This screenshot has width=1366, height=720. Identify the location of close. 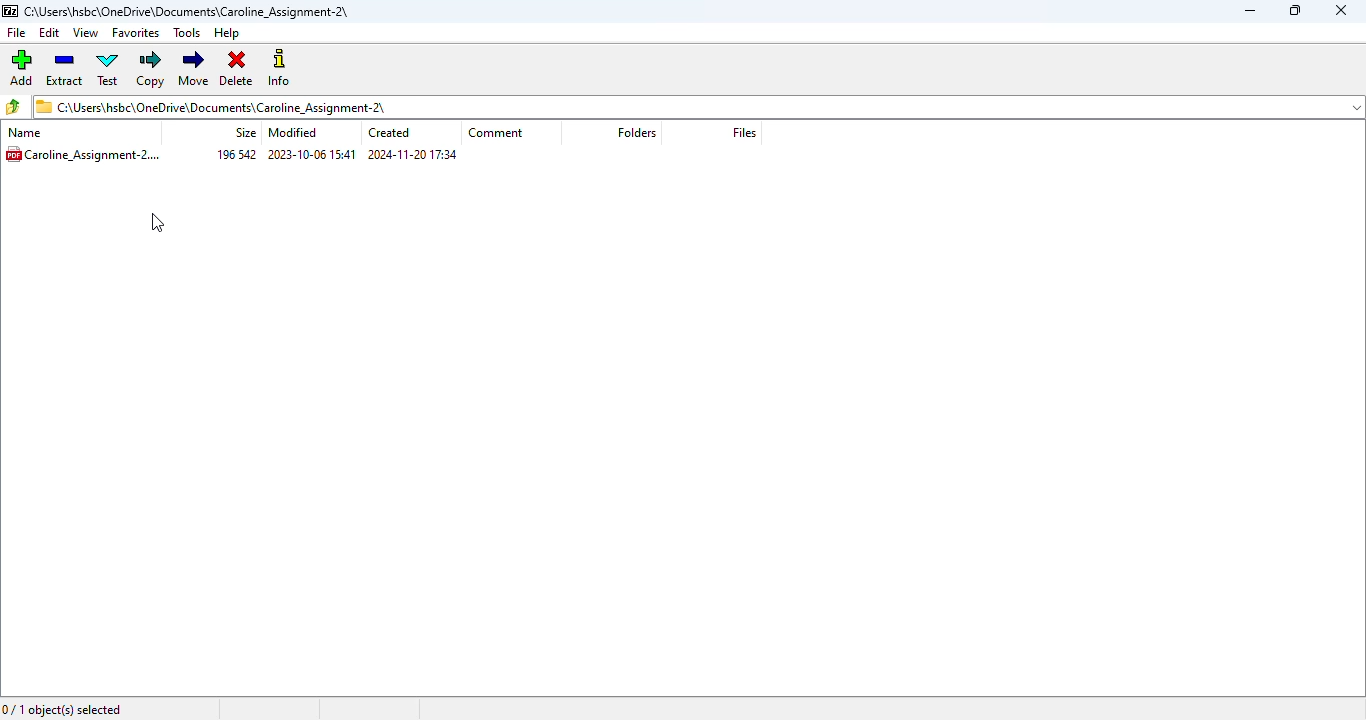
(1342, 10).